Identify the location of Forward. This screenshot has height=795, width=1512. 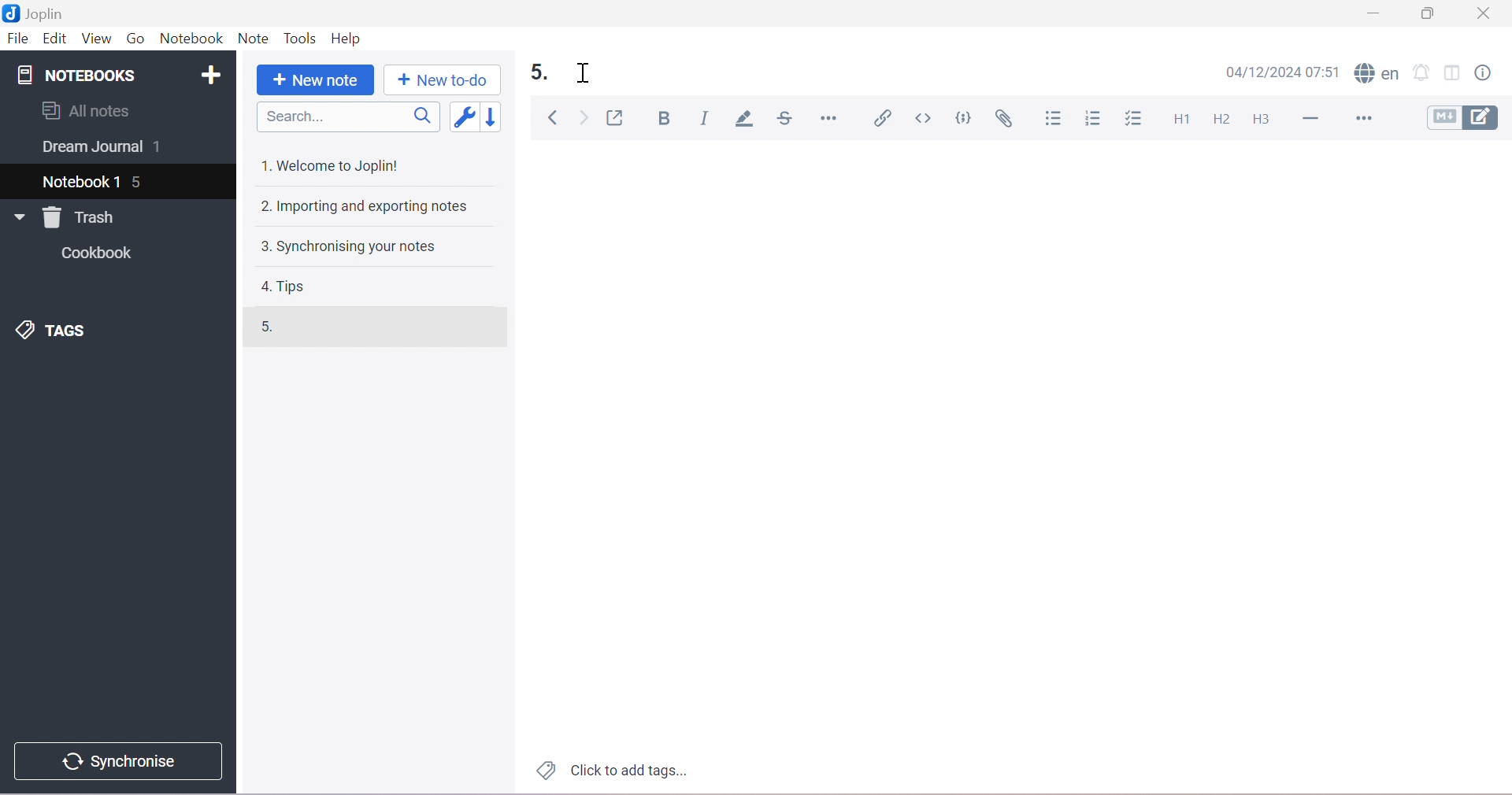
(584, 120).